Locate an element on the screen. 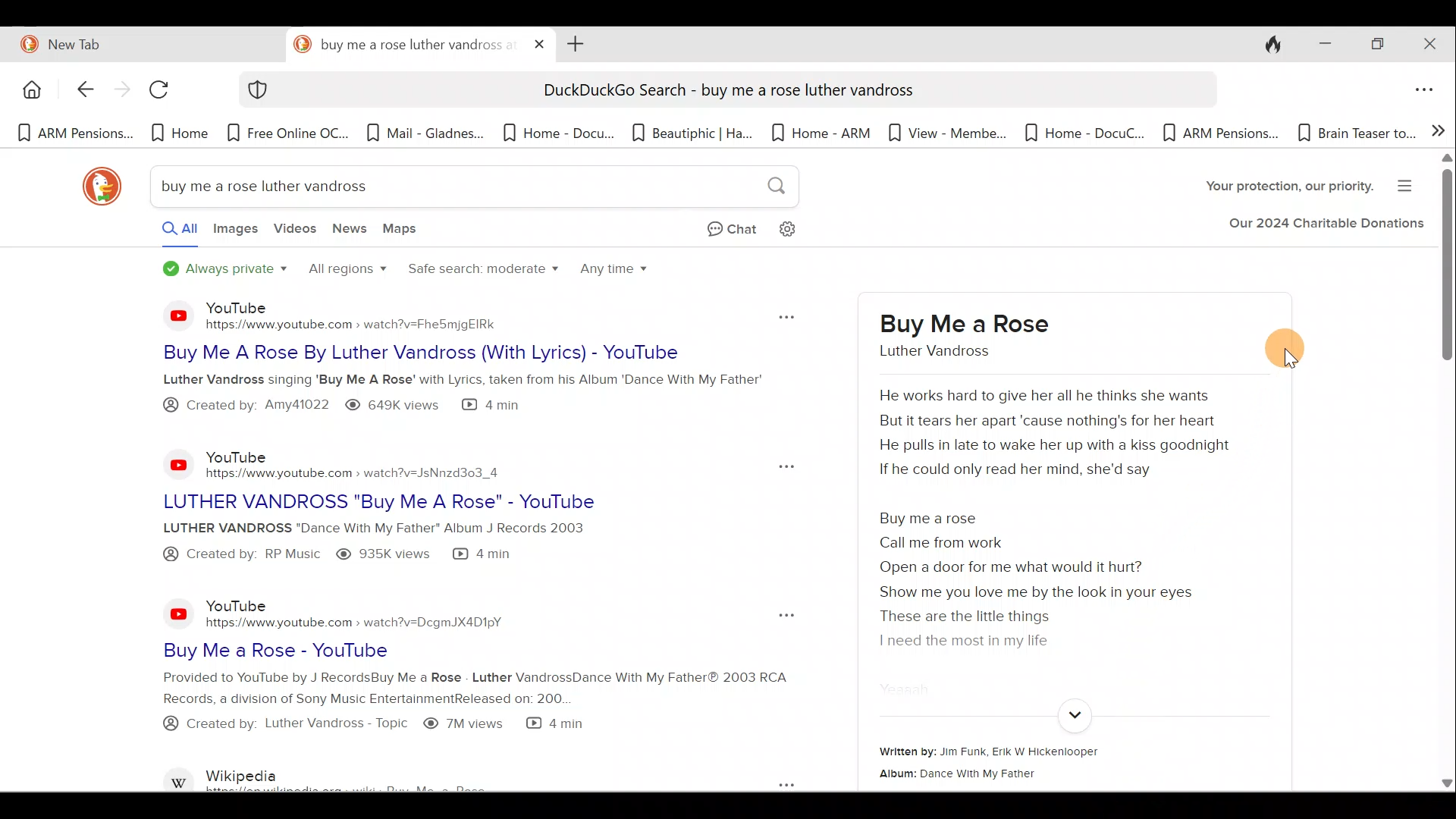 The image size is (1456, 819). Close window is located at coordinates (1432, 44).